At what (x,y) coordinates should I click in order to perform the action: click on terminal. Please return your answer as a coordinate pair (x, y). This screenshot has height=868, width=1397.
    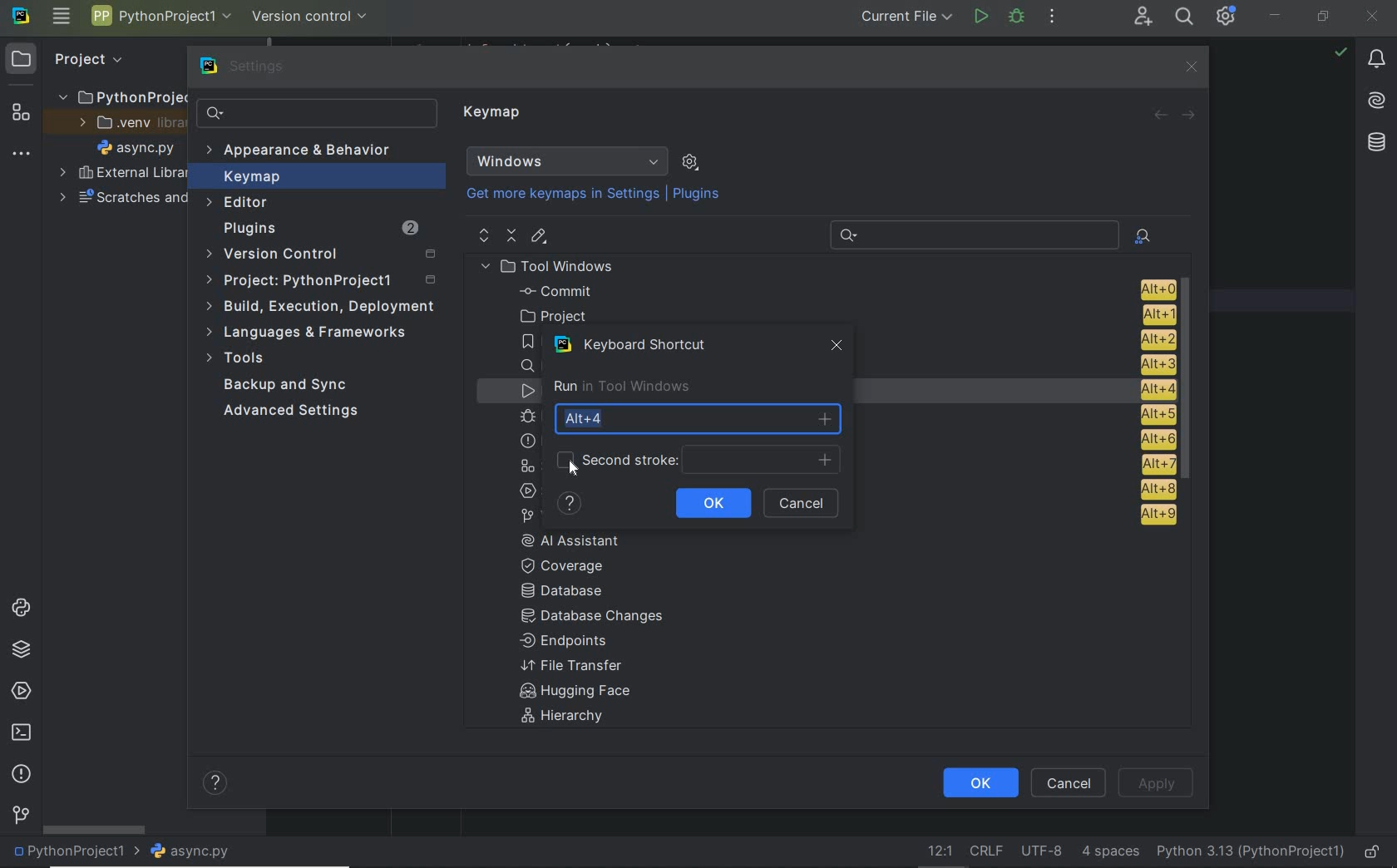
    Looking at the image, I should click on (20, 733).